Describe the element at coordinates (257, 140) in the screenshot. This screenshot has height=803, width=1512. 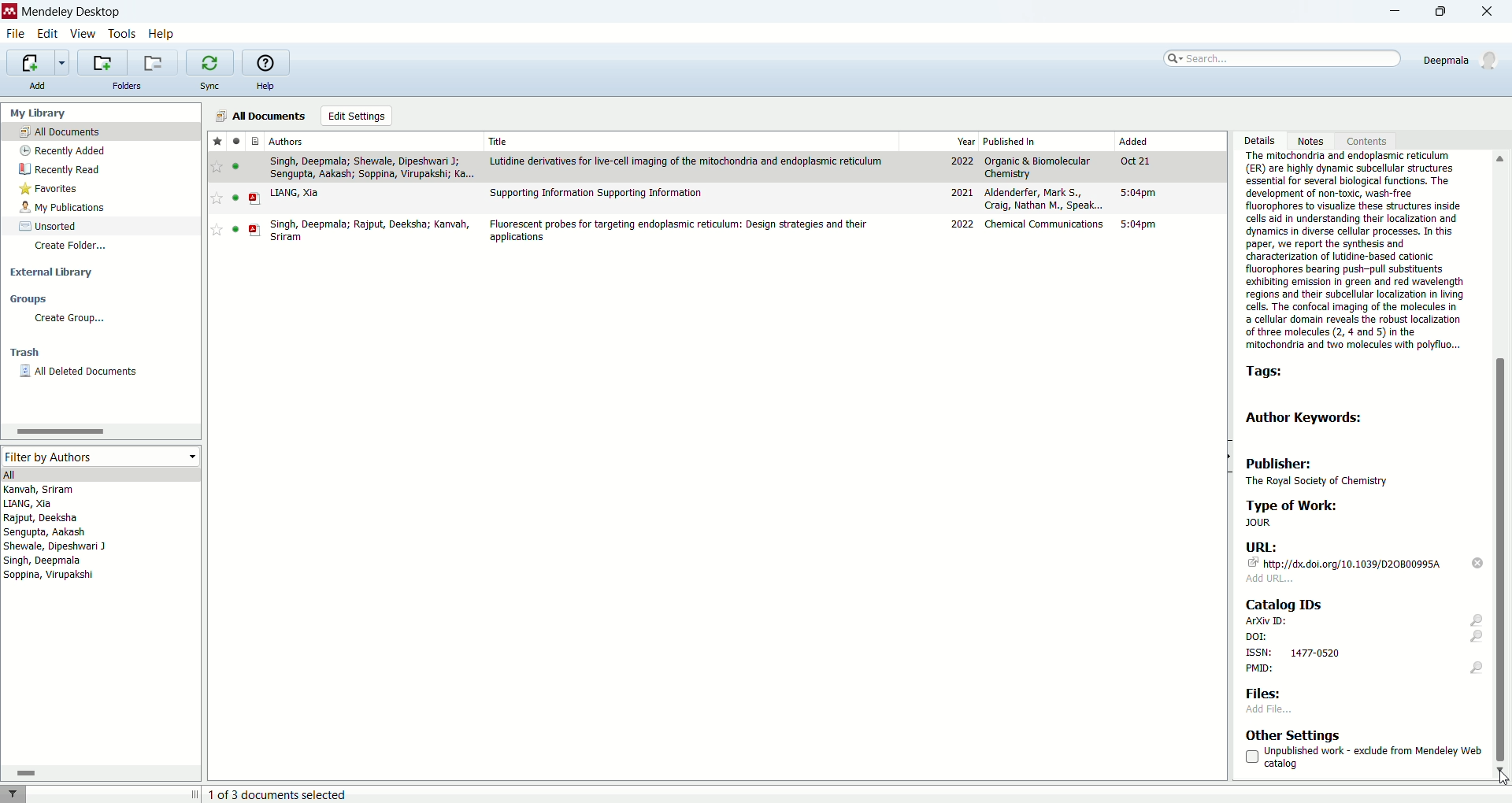
I see `document type` at that location.